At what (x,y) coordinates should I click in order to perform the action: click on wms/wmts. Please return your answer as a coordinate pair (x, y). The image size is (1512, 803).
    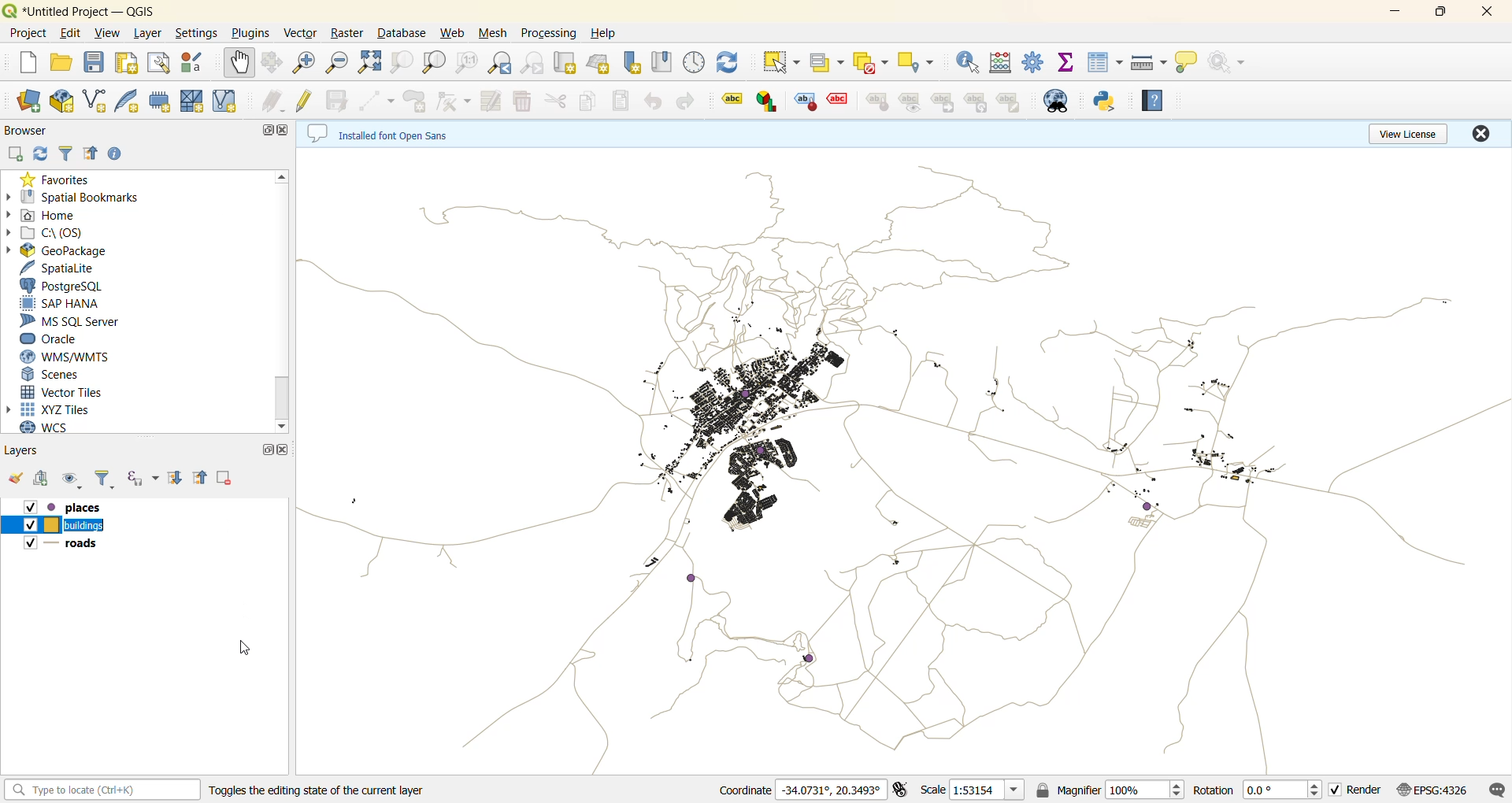
    Looking at the image, I should click on (65, 357).